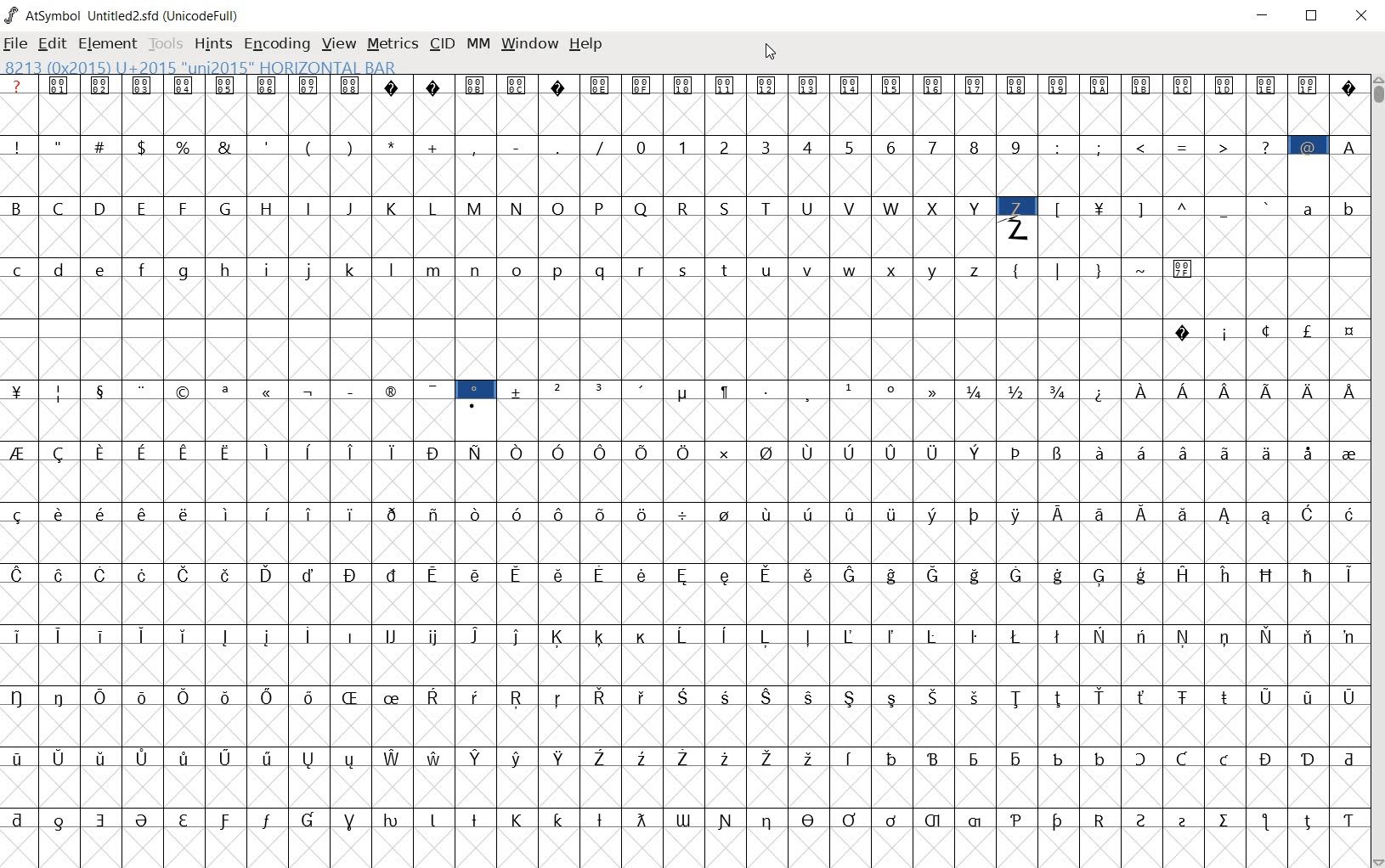 Image resolution: width=1385 pixels, height=868 pixels. I want to click on HINTS, so click(215, 44).